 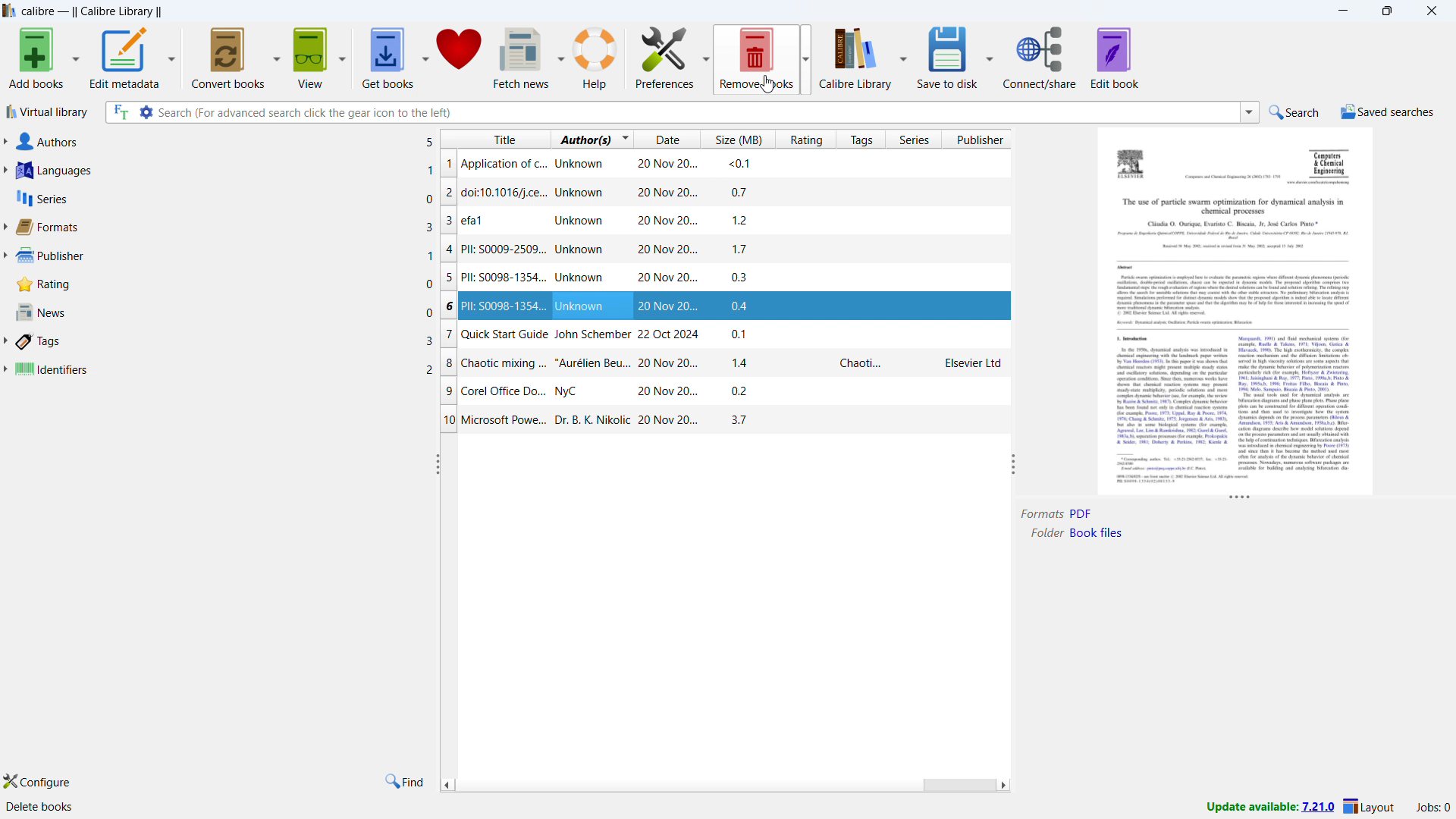 What do you see at coordinates (343, 55) in the screenshot?
I see `view options` at bounding box center [343, 55].